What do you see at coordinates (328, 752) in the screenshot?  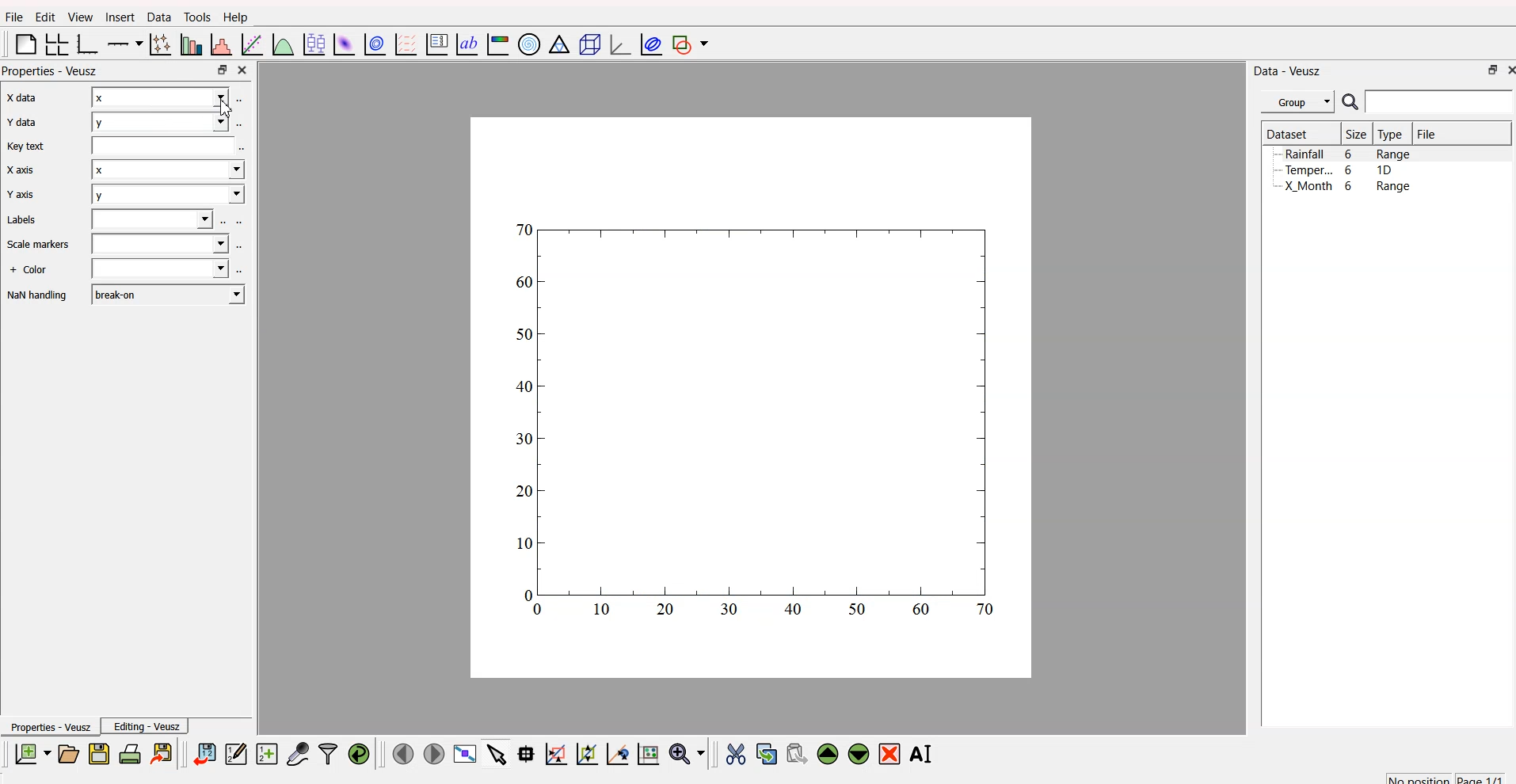 I see `filter data` at bounding box center [328, 752].